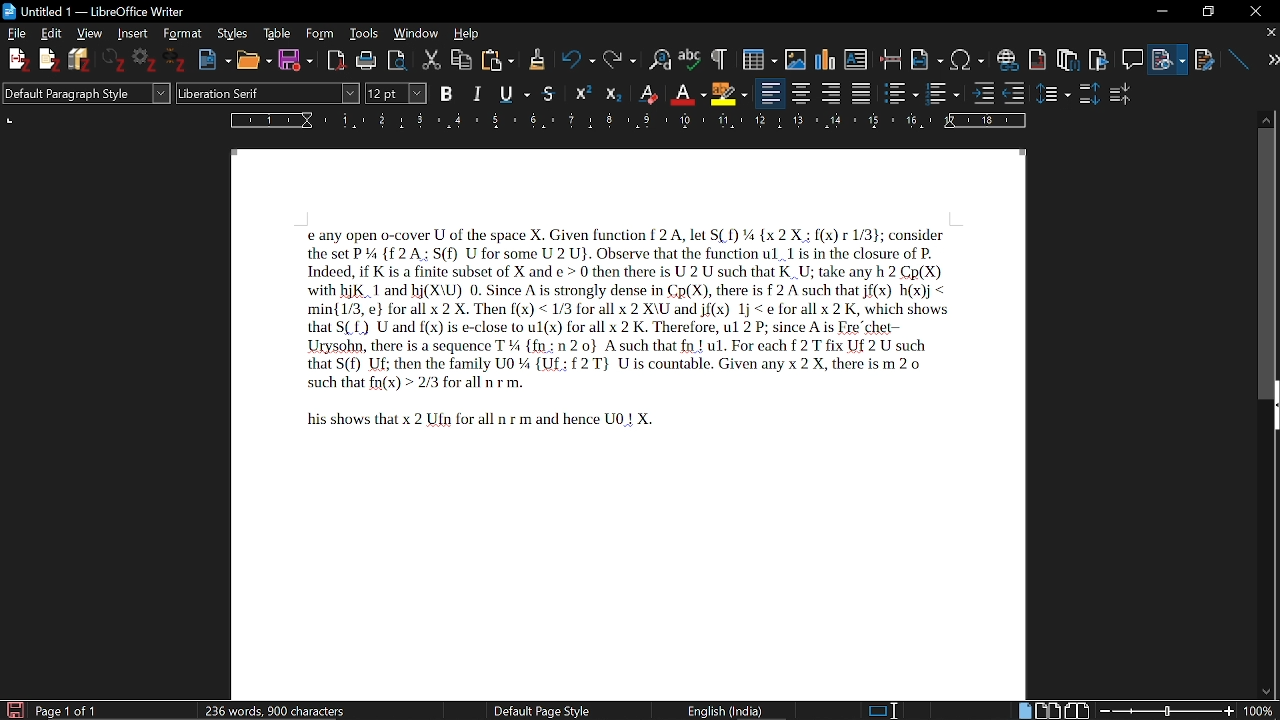  Describe the element at coordinates (863, 93) in the screenshot. I see `justified` at that location.